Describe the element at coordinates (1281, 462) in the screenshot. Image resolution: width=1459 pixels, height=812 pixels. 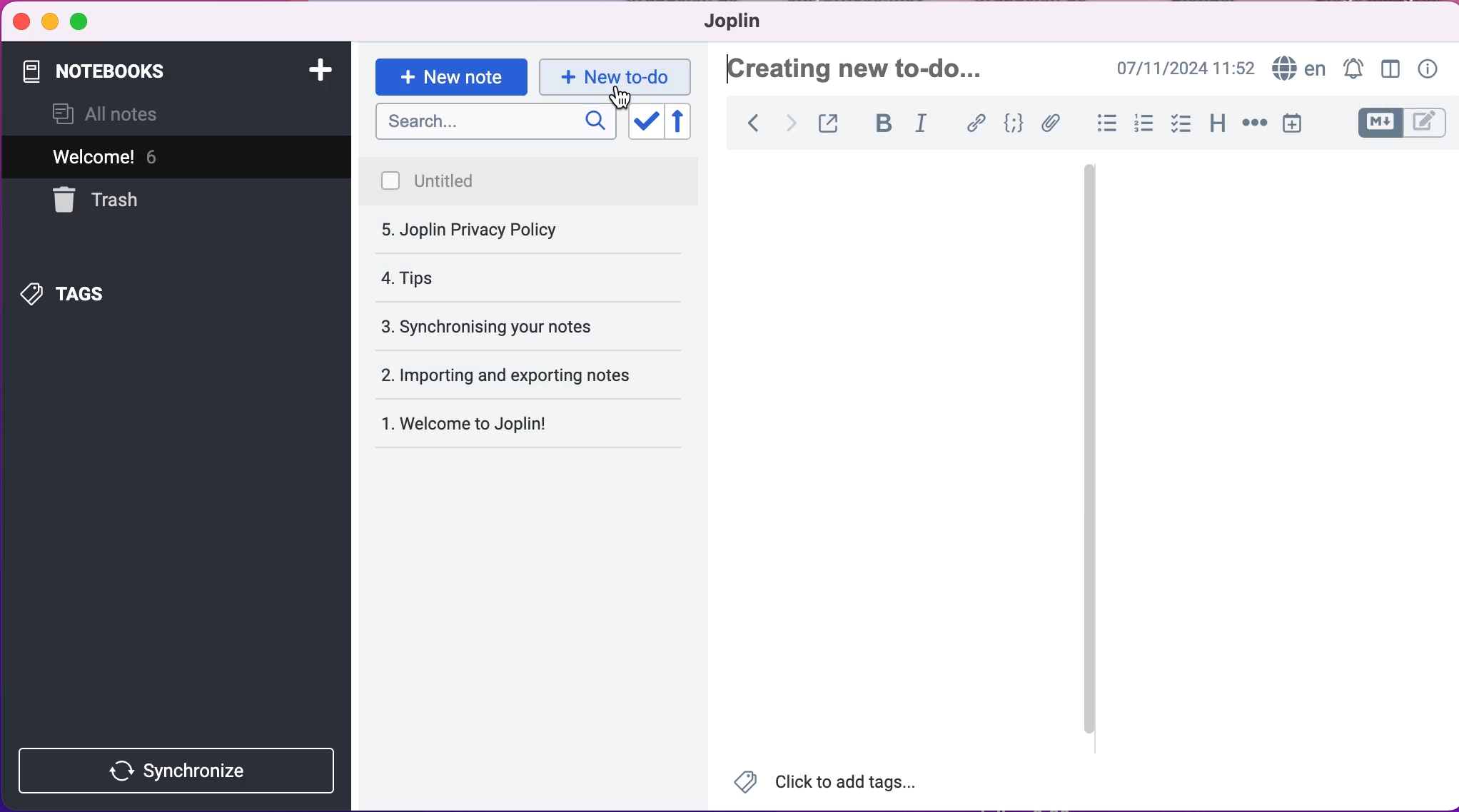
I see `Empty canvas` at that location.